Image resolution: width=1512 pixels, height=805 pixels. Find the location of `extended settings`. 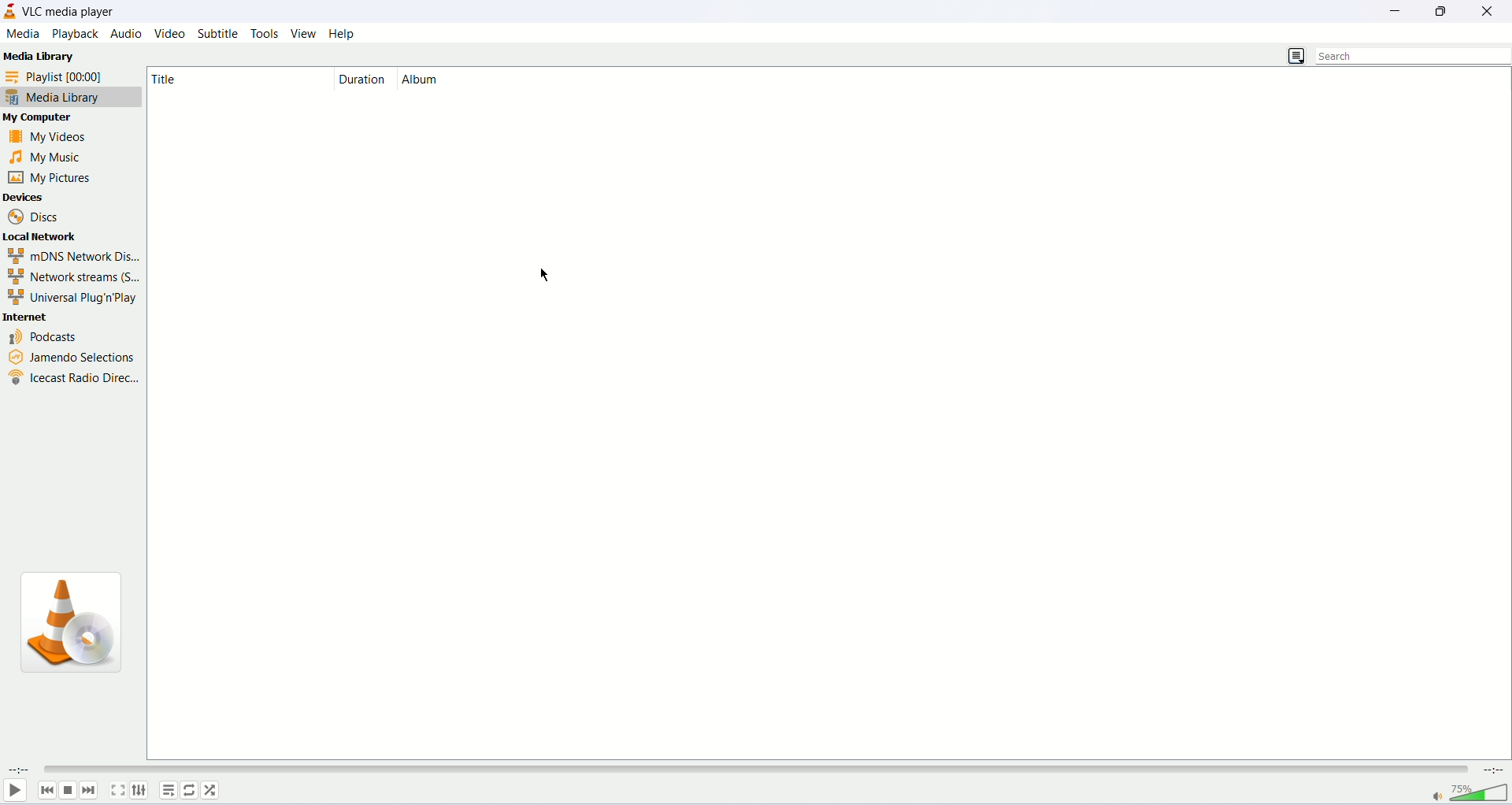

extended settings is located at coordinates (143, 790).